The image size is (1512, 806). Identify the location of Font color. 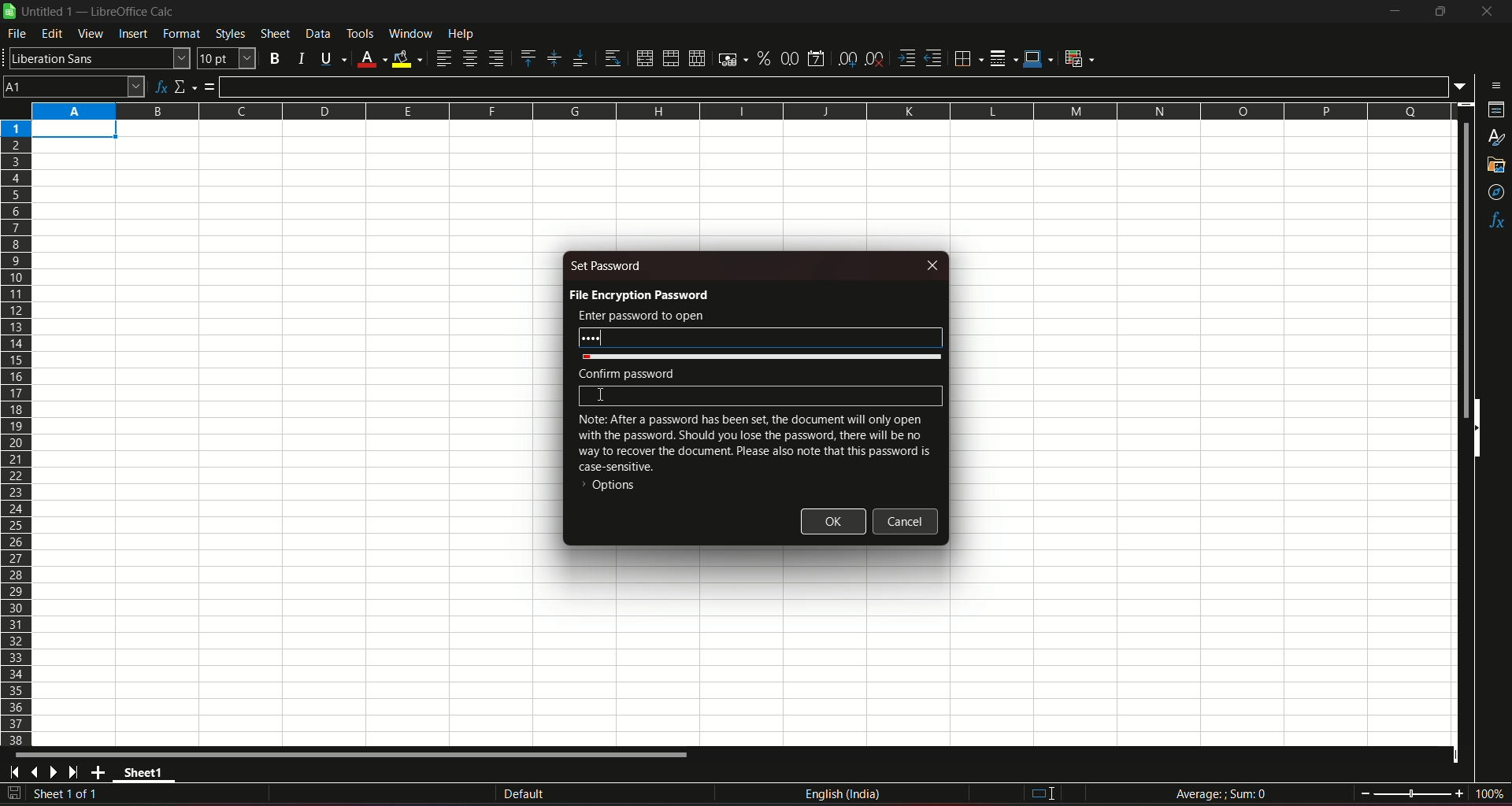
(370, 57).